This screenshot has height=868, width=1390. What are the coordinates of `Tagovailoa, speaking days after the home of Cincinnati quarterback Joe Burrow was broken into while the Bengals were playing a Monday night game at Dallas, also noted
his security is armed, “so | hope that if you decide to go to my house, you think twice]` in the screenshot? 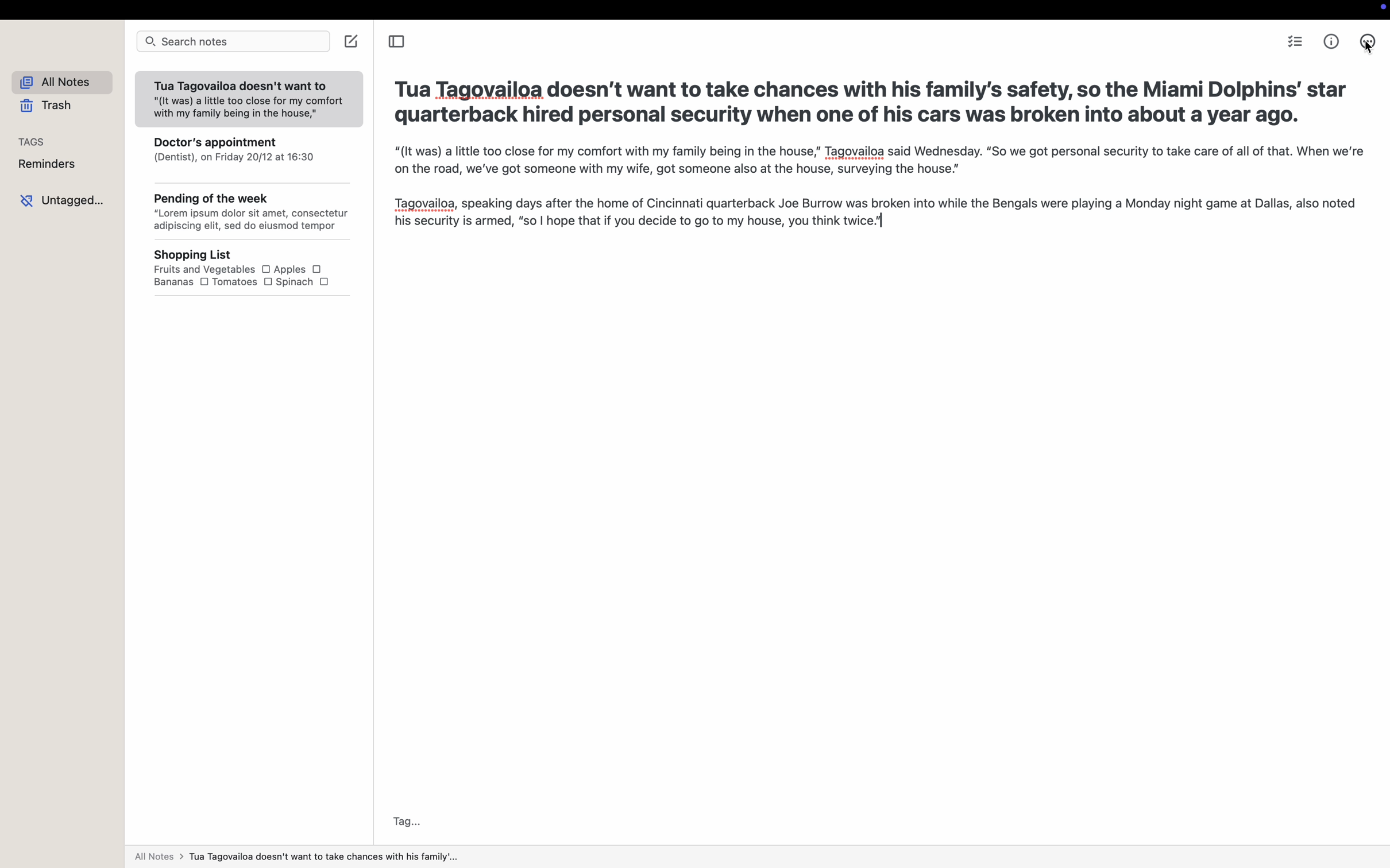 It's located at (872, 214).